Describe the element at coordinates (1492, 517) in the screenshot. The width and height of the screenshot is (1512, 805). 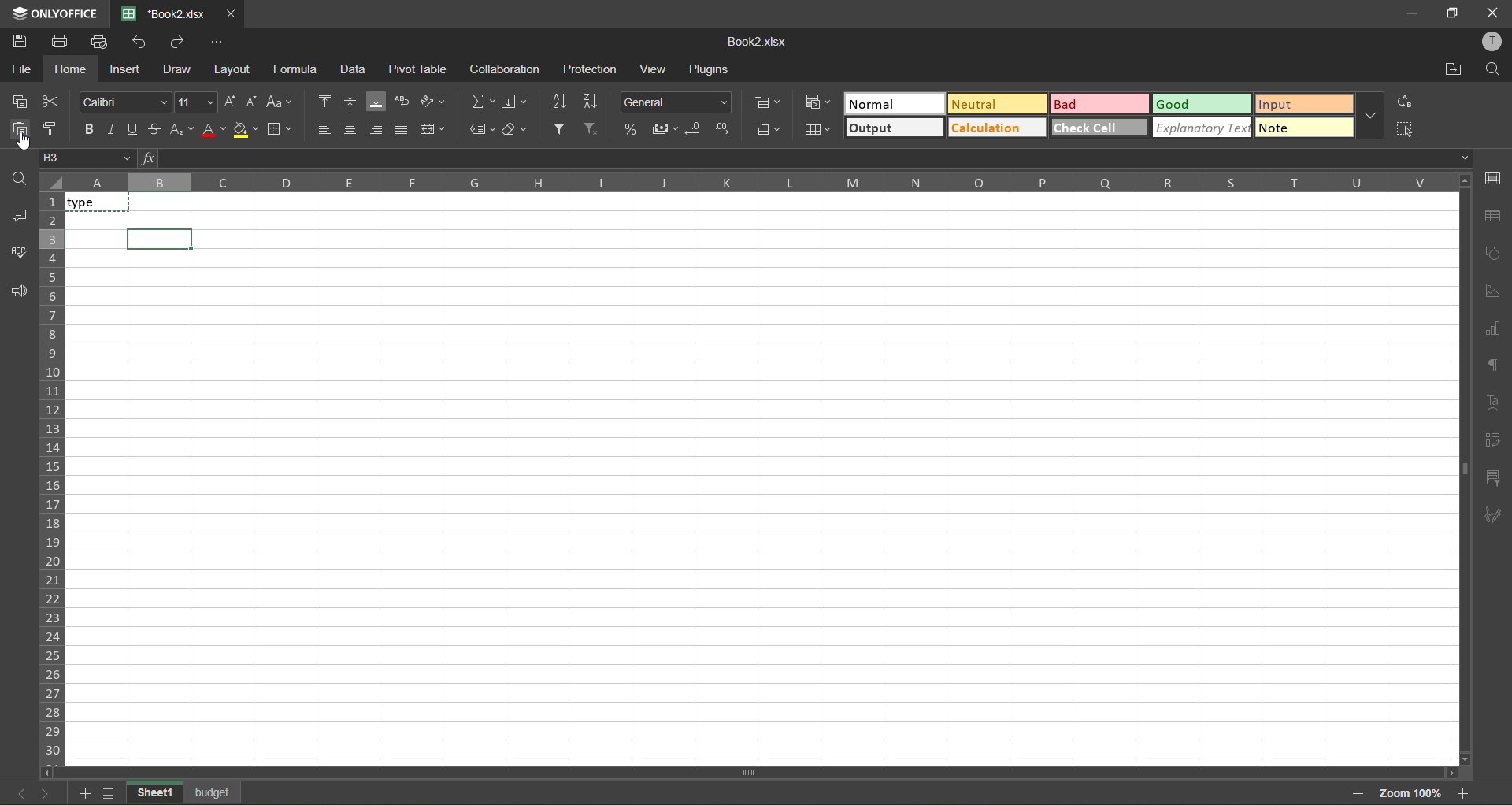
I see `signature` at that location.